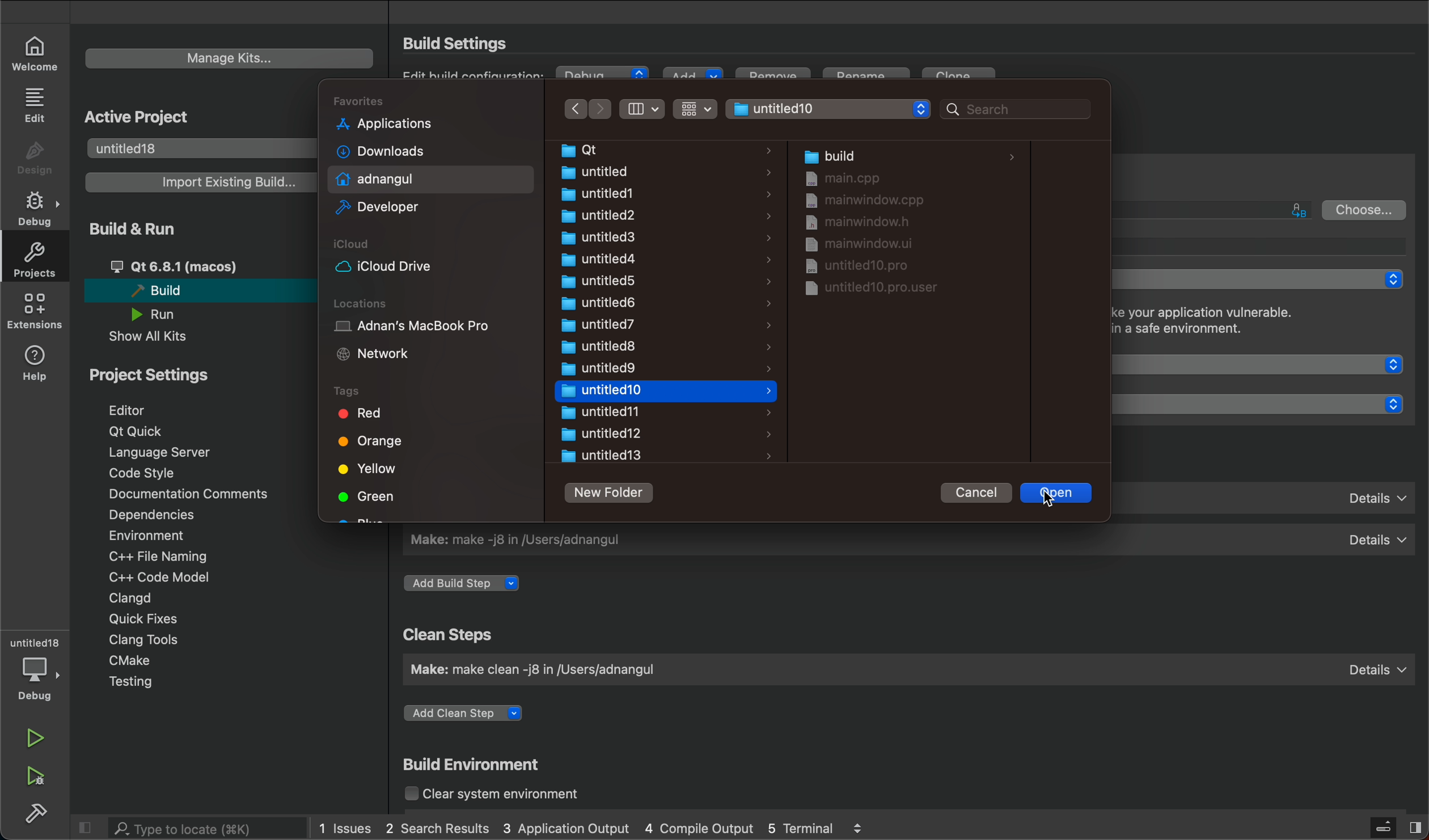 This screenshot has width=1429, height=840. Describe the element at coordinates (379, 122) in the screenshot. I see `Applications` at that location.